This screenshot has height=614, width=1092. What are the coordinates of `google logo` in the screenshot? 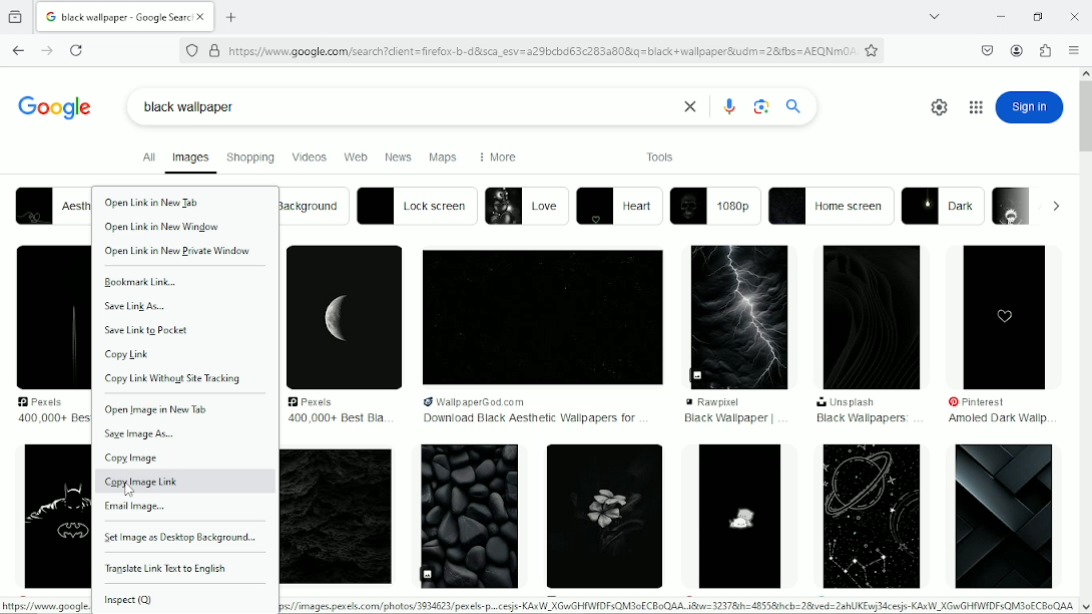 It's located at (50, 17).